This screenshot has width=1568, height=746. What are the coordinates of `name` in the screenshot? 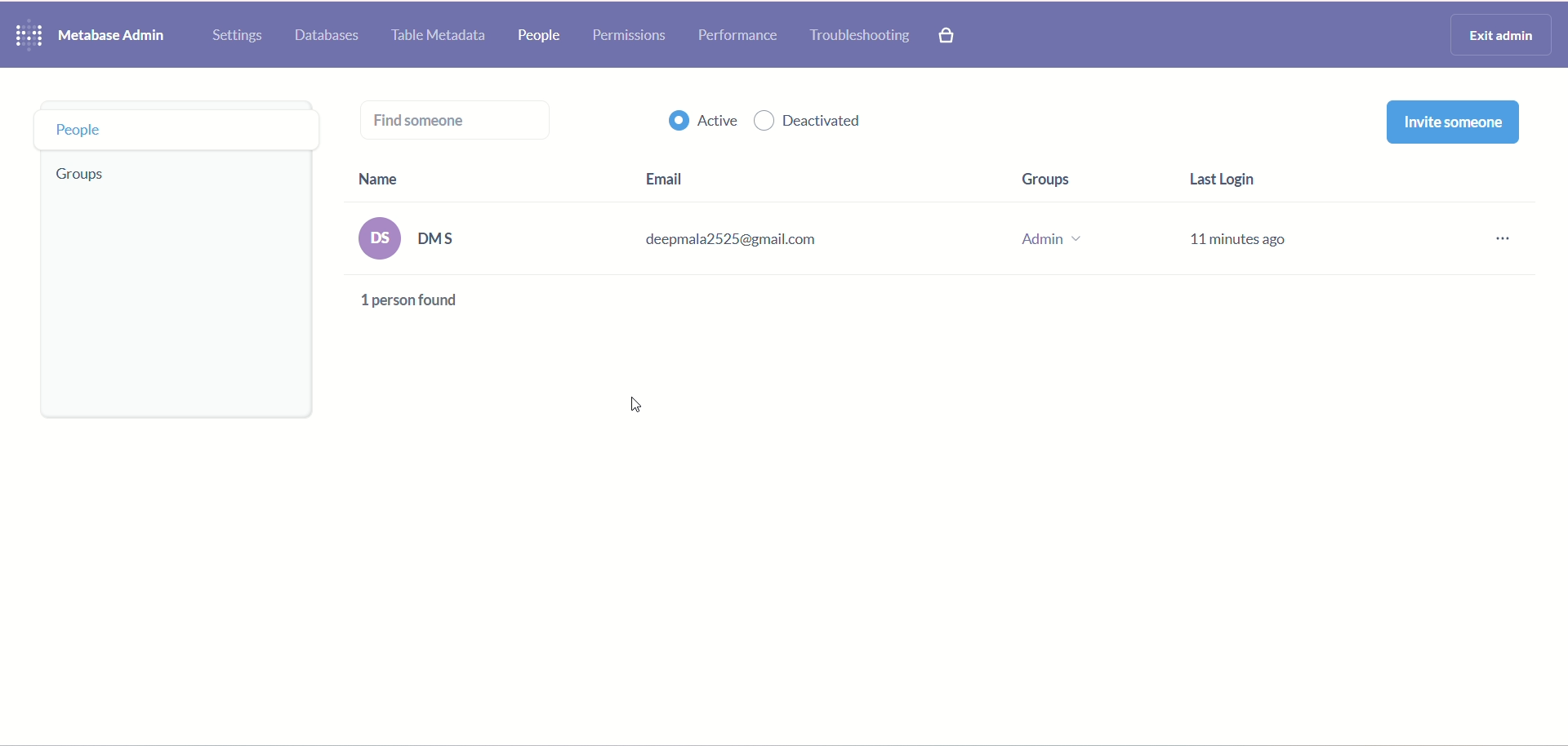 It's located at (417, 222).